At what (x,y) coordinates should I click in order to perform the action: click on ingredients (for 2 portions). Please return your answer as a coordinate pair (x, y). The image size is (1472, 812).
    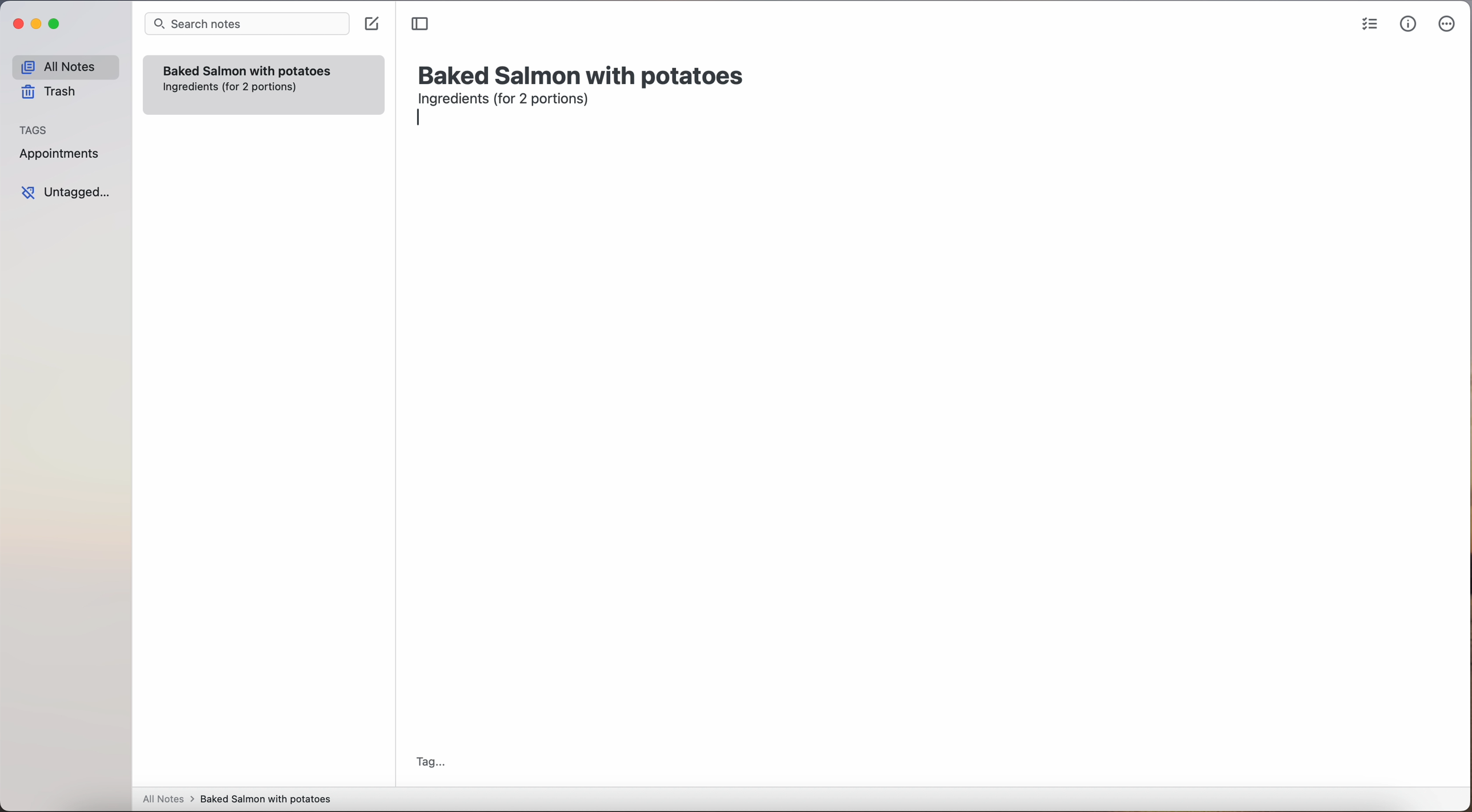
    Looking at the image, I should click on (507, 101).